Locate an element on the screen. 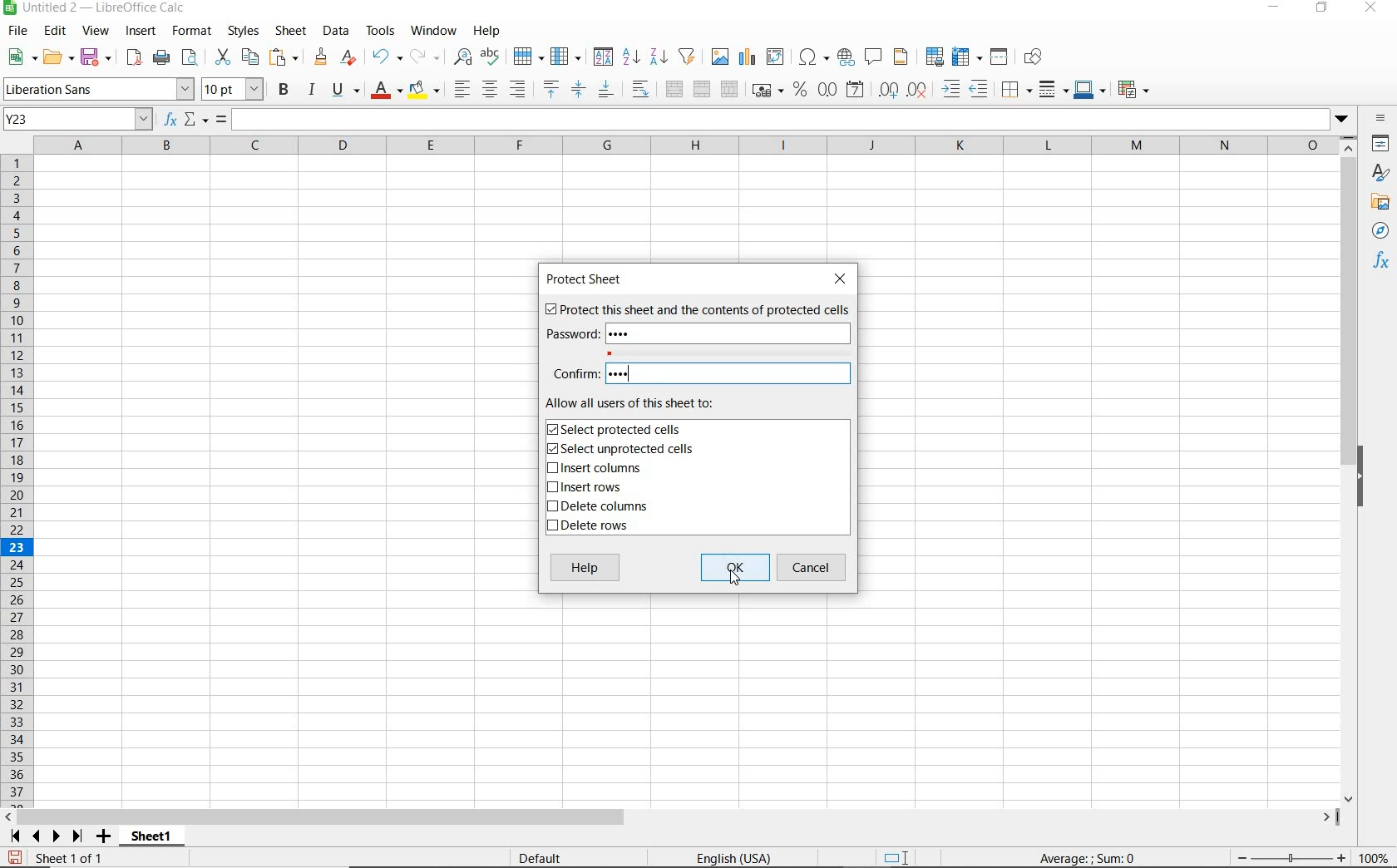  INSERT ROWS is located at coordinates (590, 488).